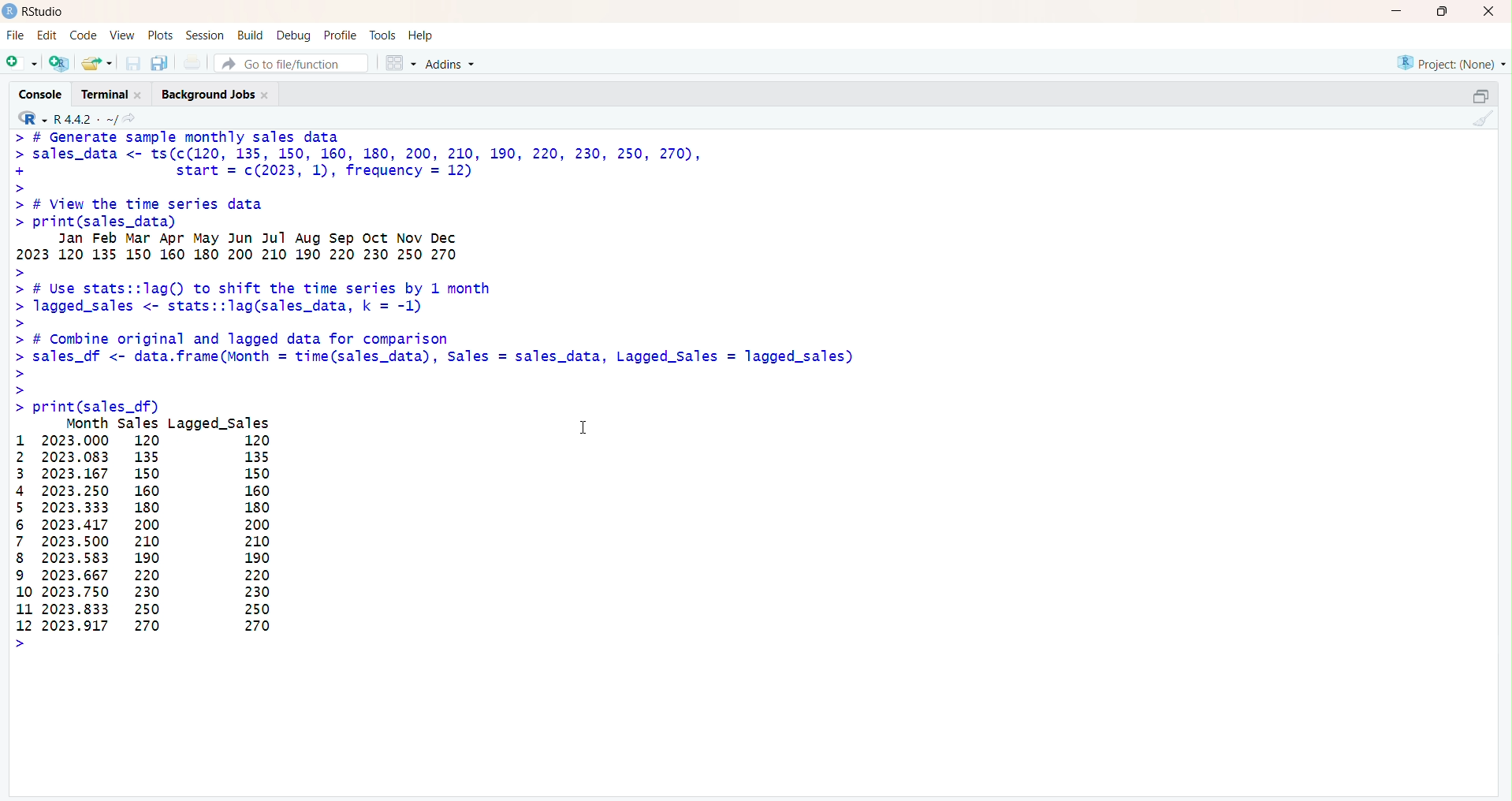  I want to click on debug, so click(294, 35).